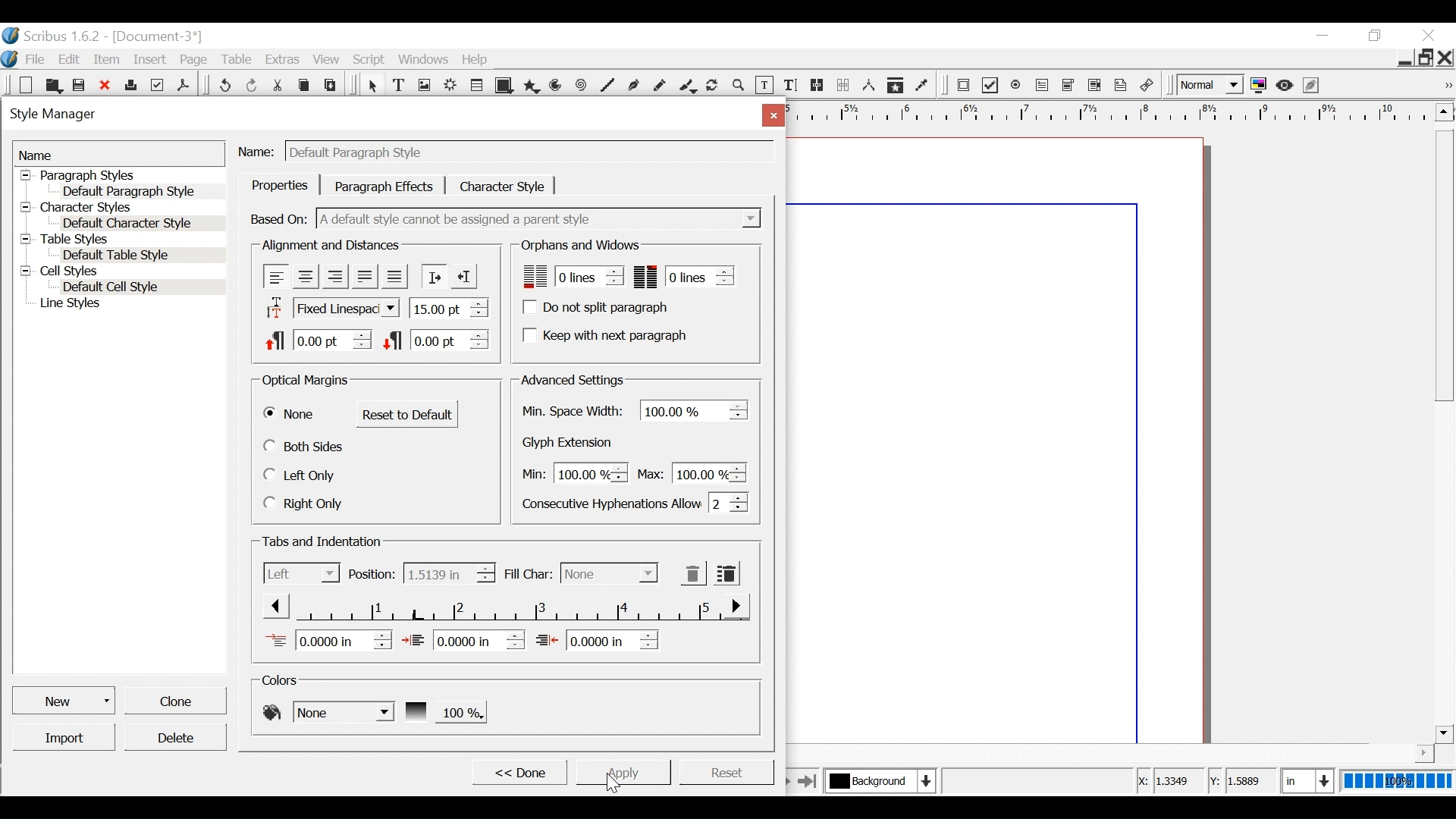  I want to click on Select, so click(372, 86).